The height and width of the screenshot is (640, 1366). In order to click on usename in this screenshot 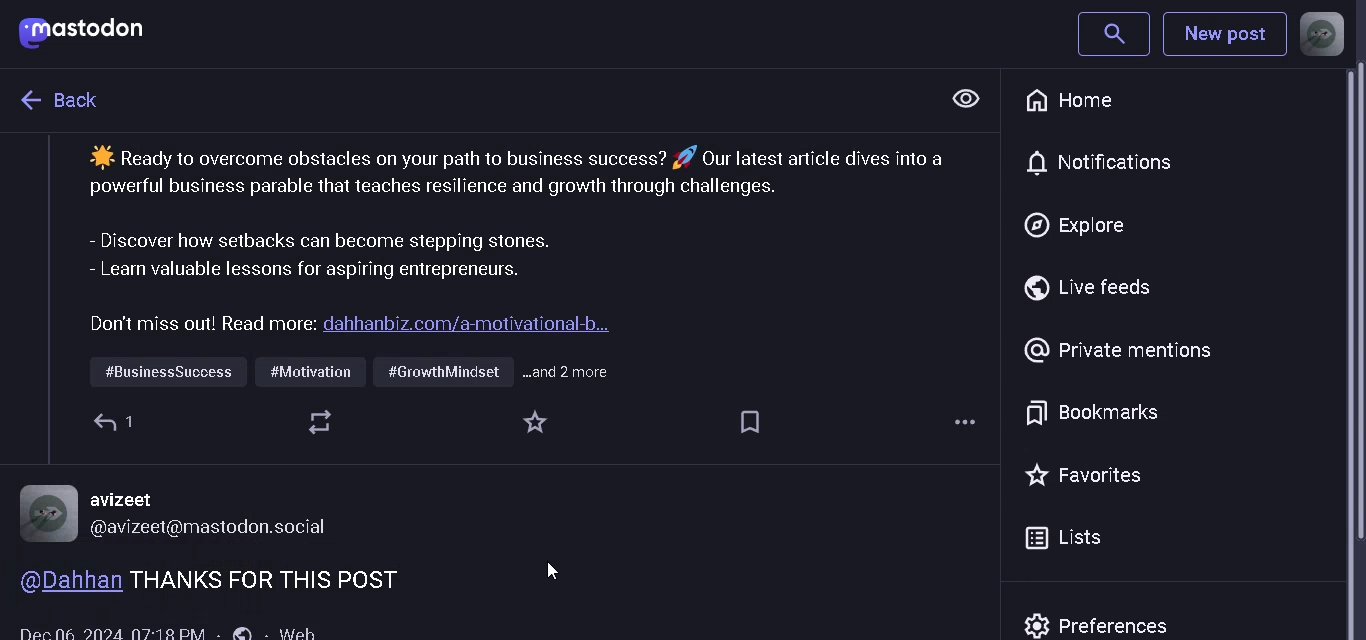, I will do `click(71, 579)`.